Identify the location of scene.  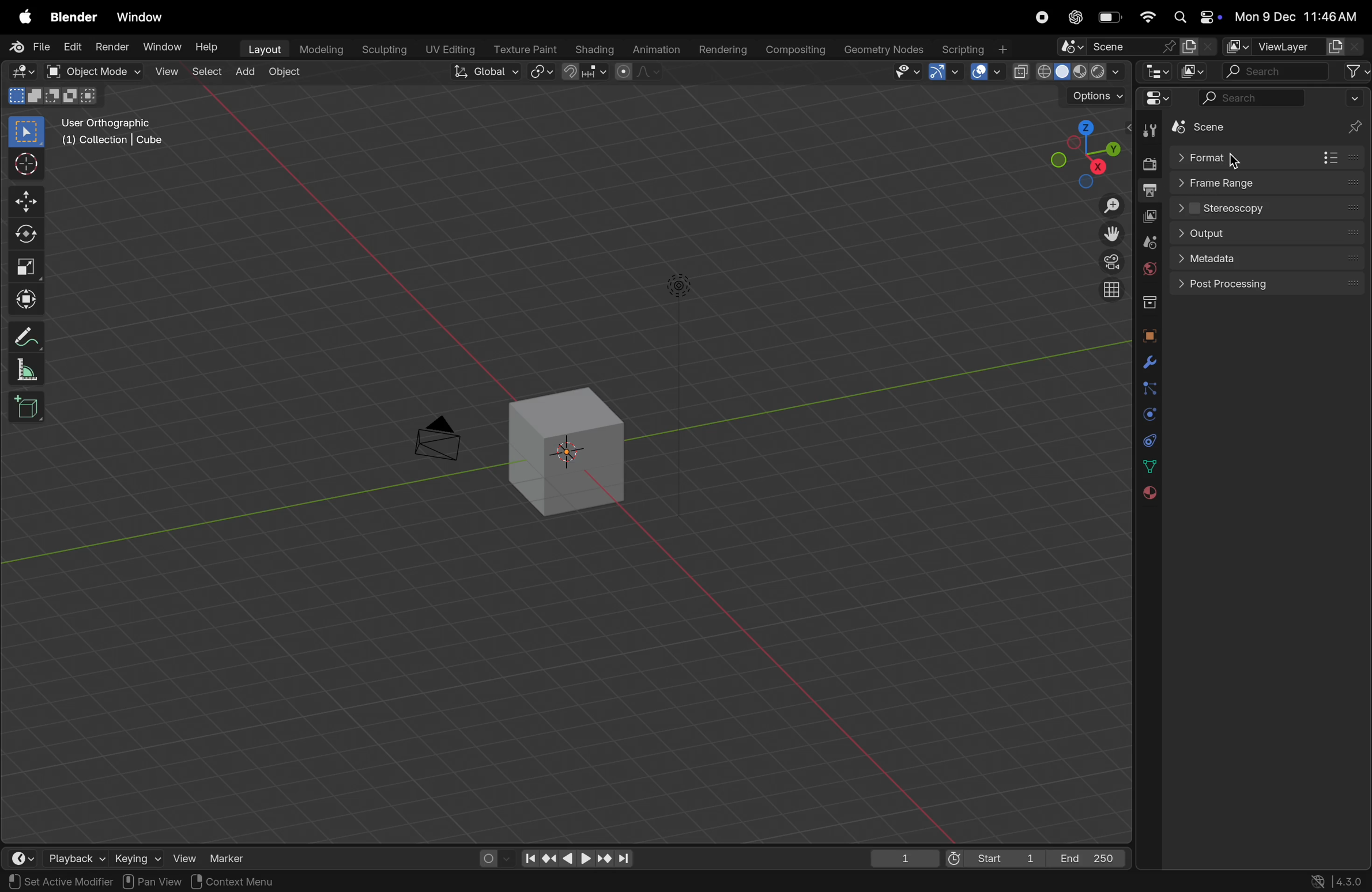
(1150, 241).